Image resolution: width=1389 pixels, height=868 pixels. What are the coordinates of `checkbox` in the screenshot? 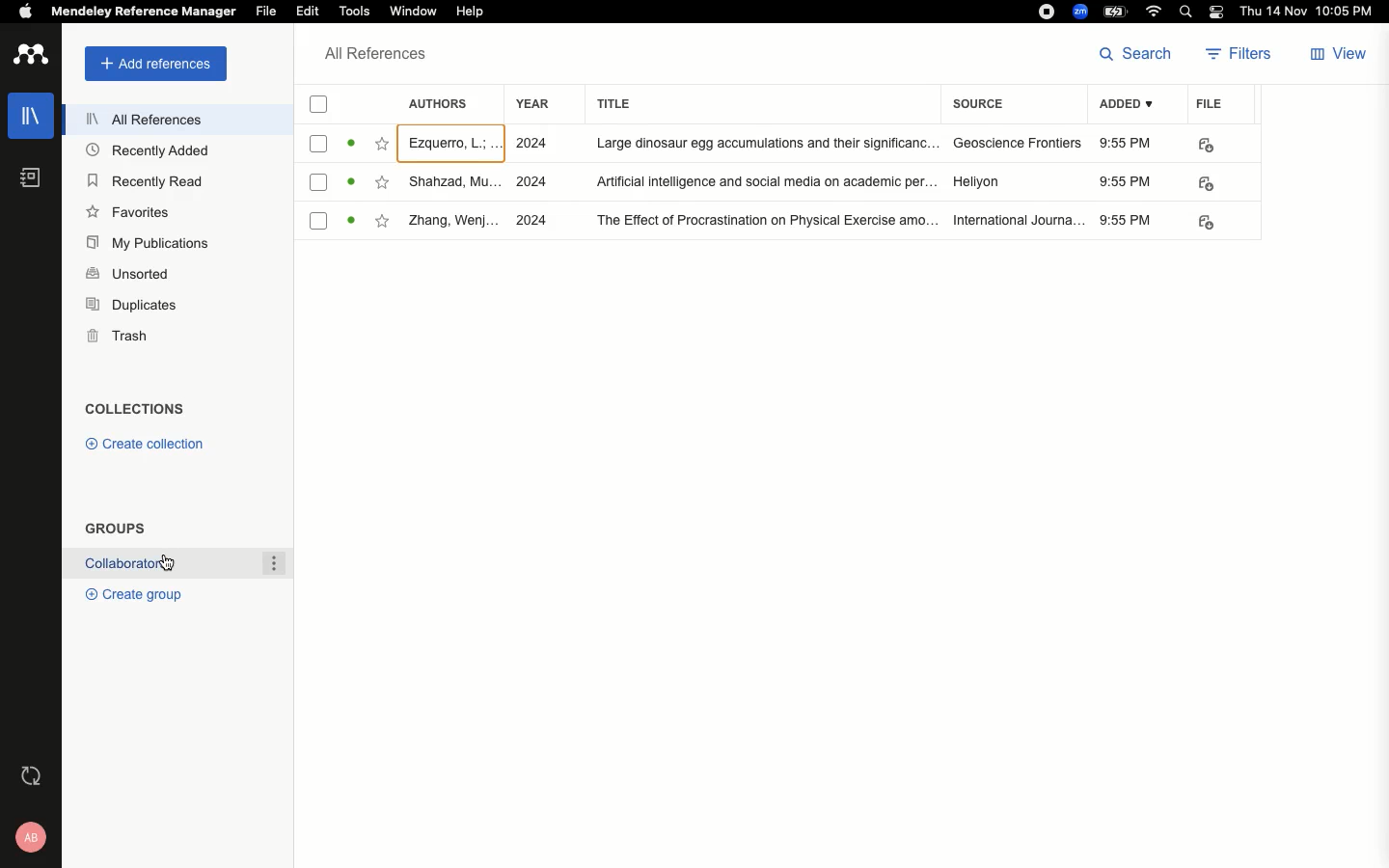 It's located at (318, 183).